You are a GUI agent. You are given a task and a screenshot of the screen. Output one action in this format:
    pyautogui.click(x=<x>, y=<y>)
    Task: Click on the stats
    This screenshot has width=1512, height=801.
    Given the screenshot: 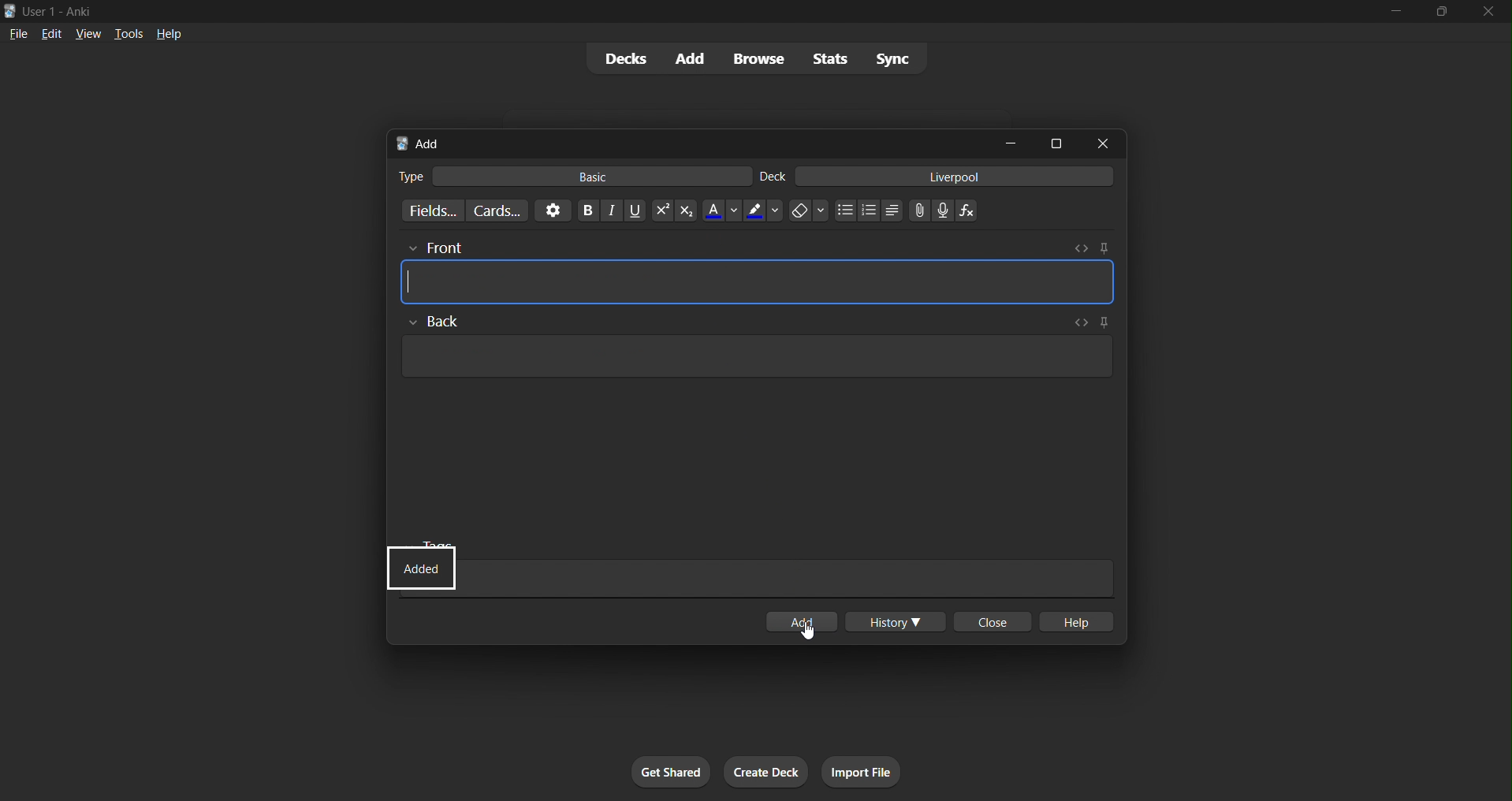 What is the action you would take?
    pyautogui.click(x=824, y=58)
    